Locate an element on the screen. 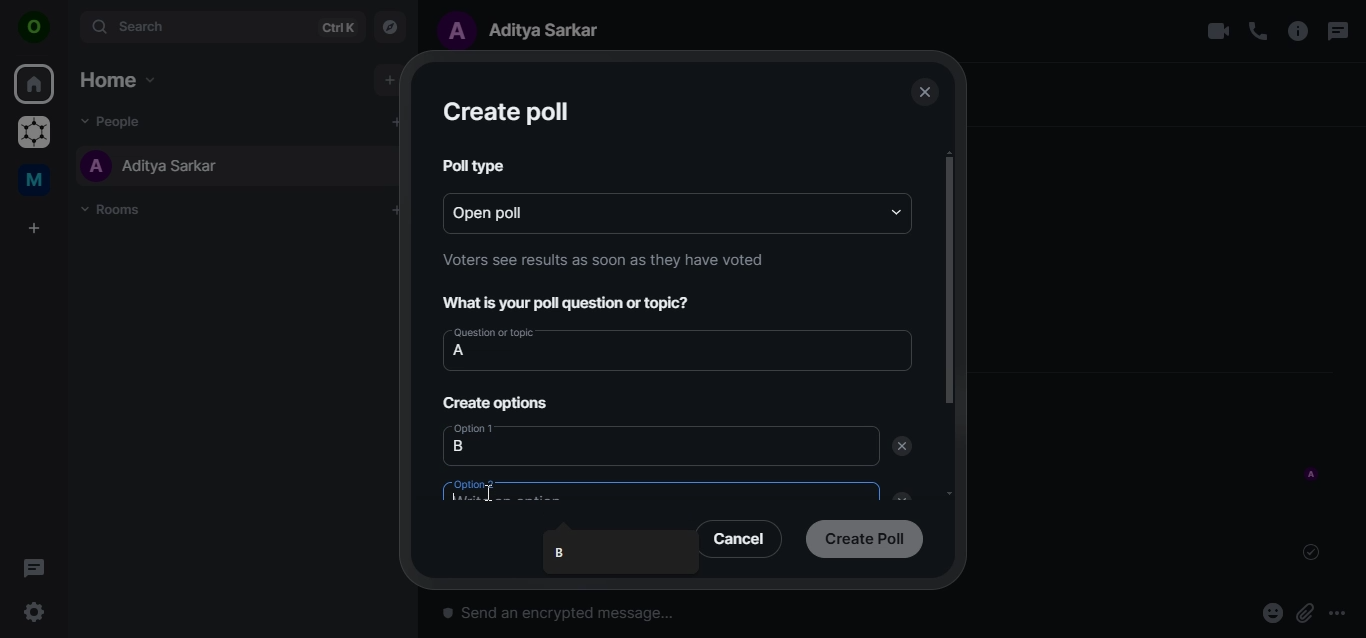 The width and height of the screenshot is (1366, 638). react is located at coordinates (1273, 615).